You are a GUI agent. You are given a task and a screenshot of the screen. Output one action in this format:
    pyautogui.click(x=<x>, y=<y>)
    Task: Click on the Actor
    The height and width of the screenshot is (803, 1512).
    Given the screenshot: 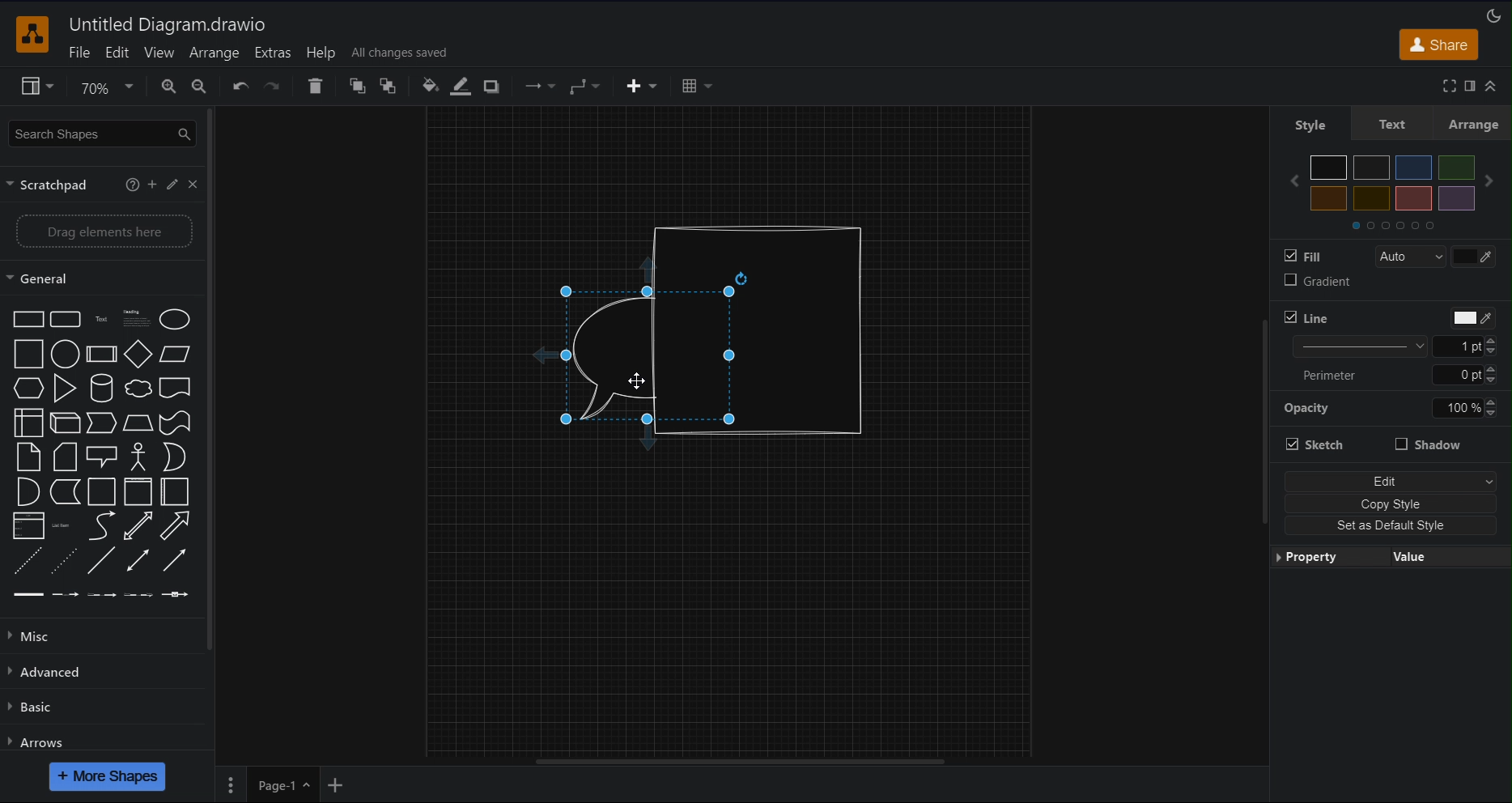 What is the action you would take?
    pyautogui.click(x=138, y=457)
    